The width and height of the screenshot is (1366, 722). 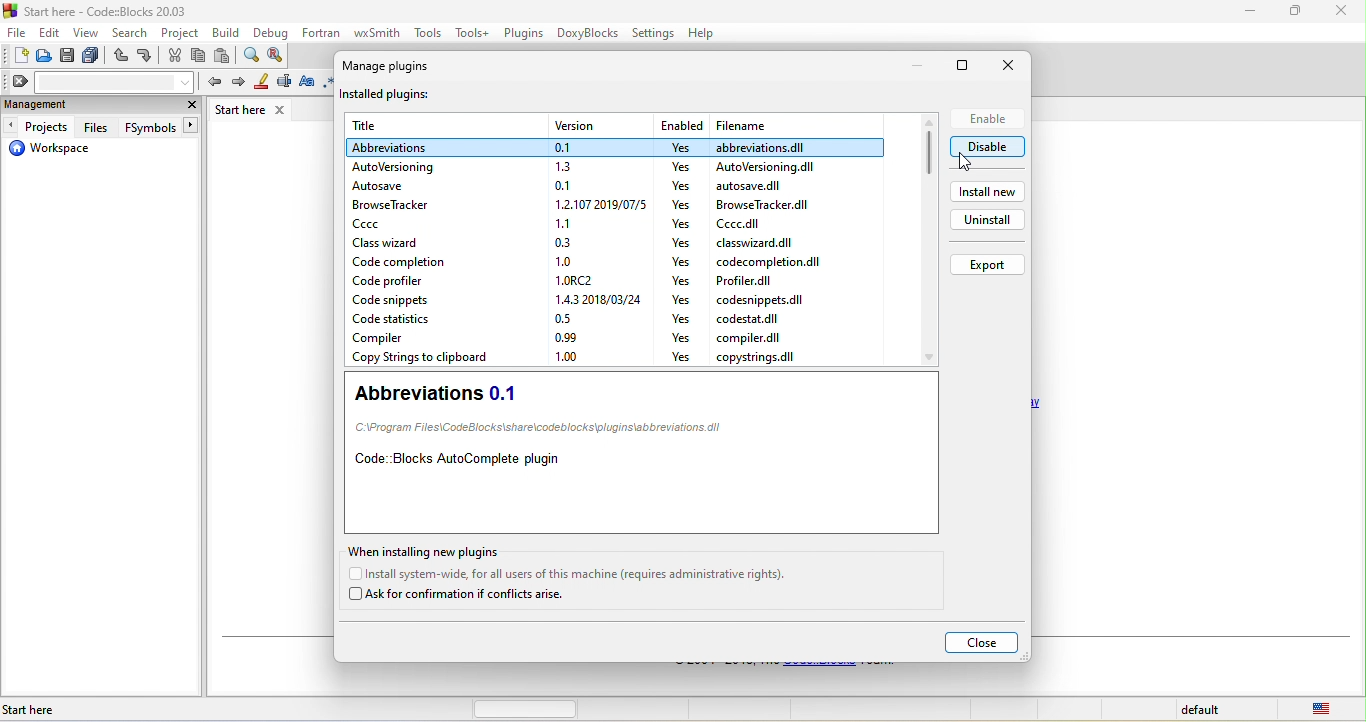 What do you see at coordinates (928, 150) in the screenshot?
I see `scroll bar` at bounding box center [928, 150].